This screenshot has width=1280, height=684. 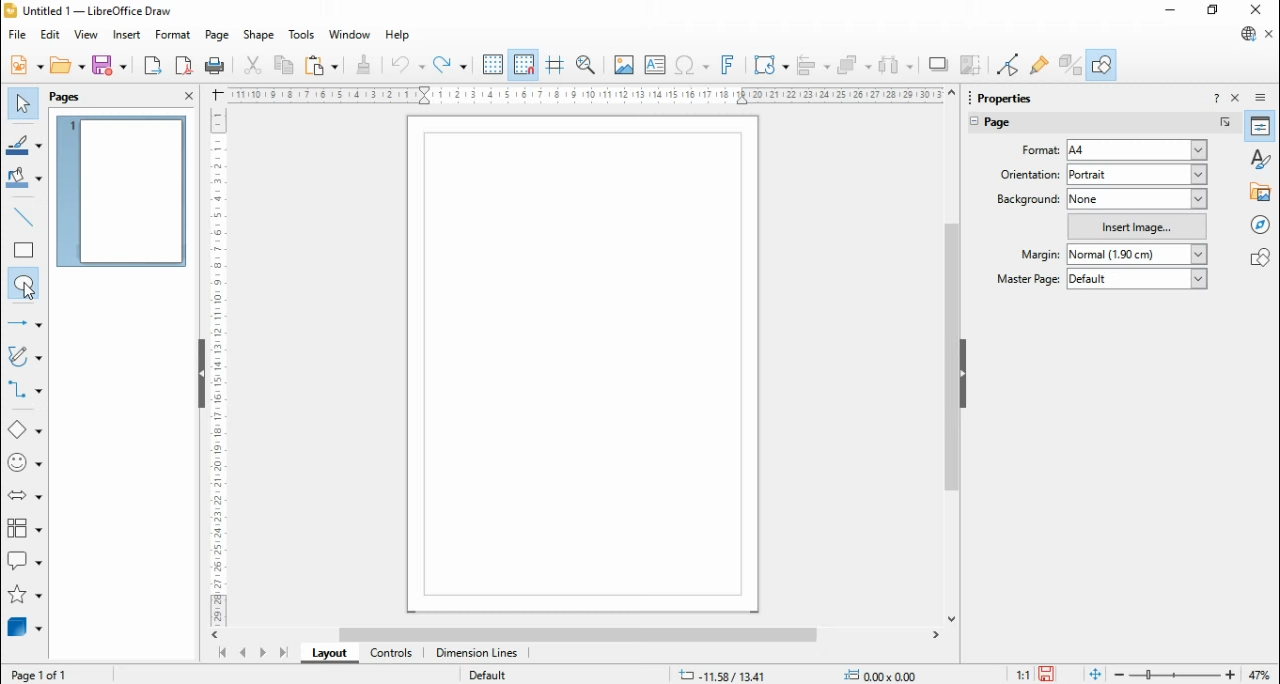 What do you see at coordinates (1237, 97) in the screenshot?
I see `close sidebar deck` at bounding box center [1237, 97].